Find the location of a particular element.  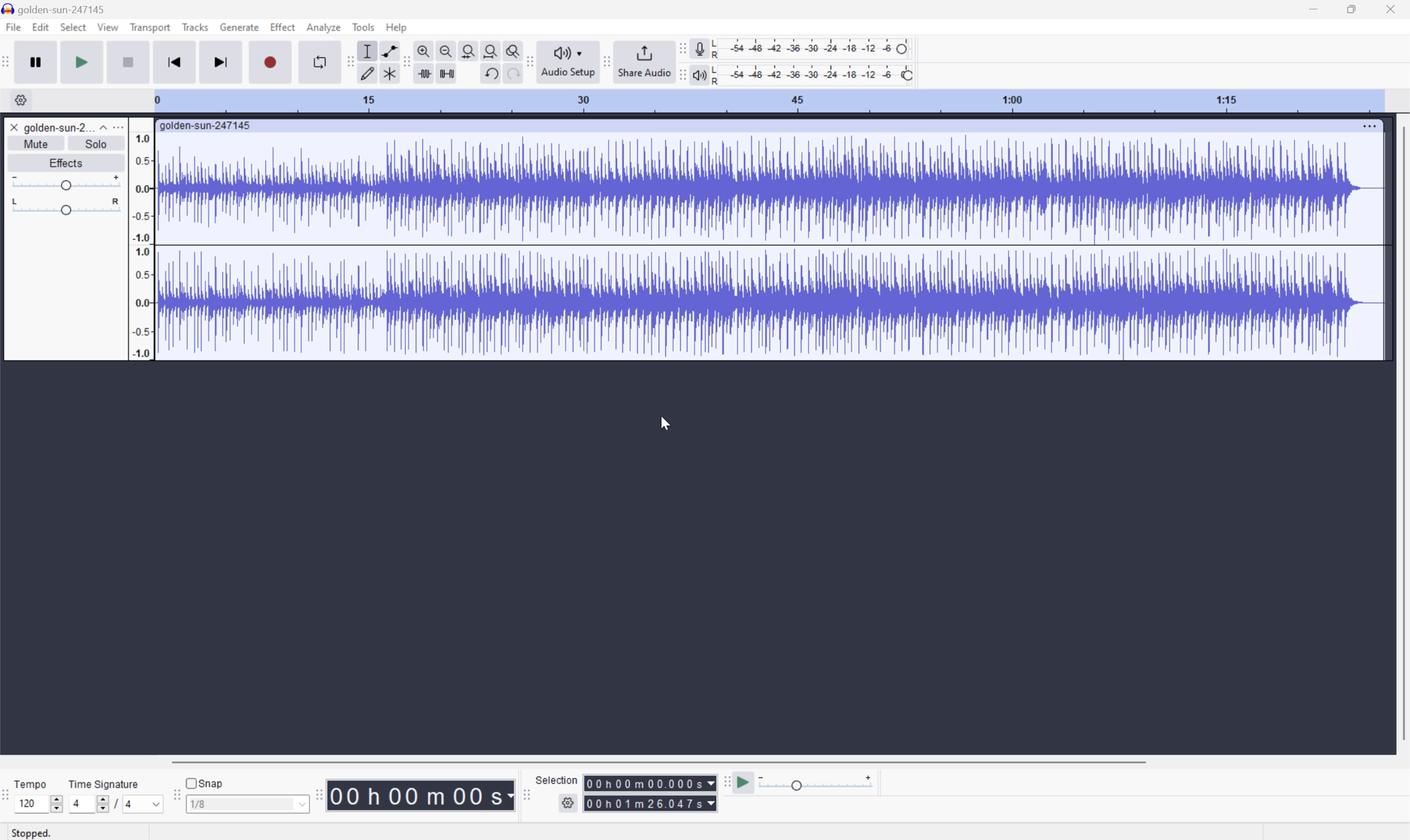

Audacity Time toolbar is located at coordinates (317, 795).